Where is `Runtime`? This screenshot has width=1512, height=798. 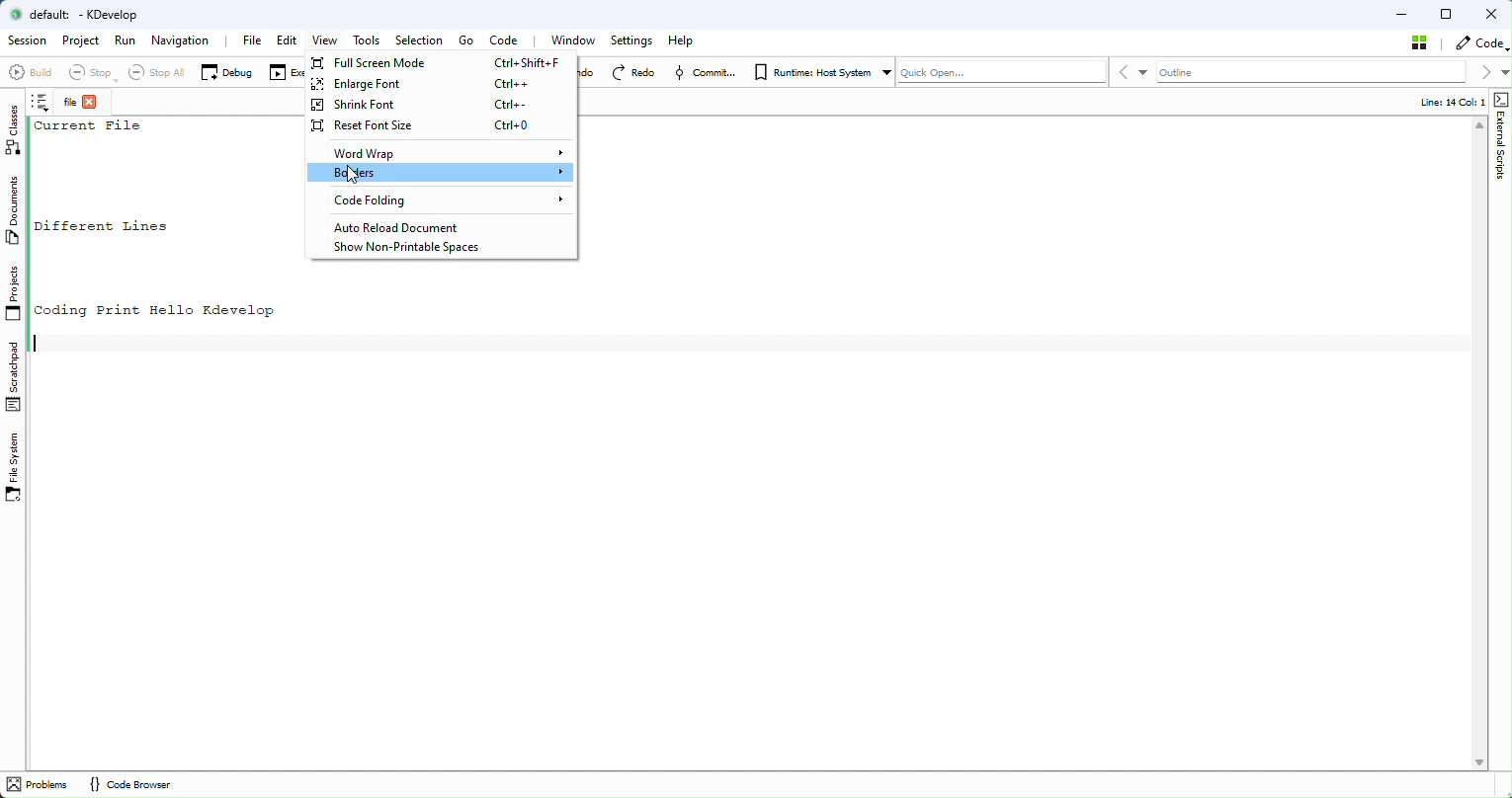
Runtime is located at coordinates (819, 70).